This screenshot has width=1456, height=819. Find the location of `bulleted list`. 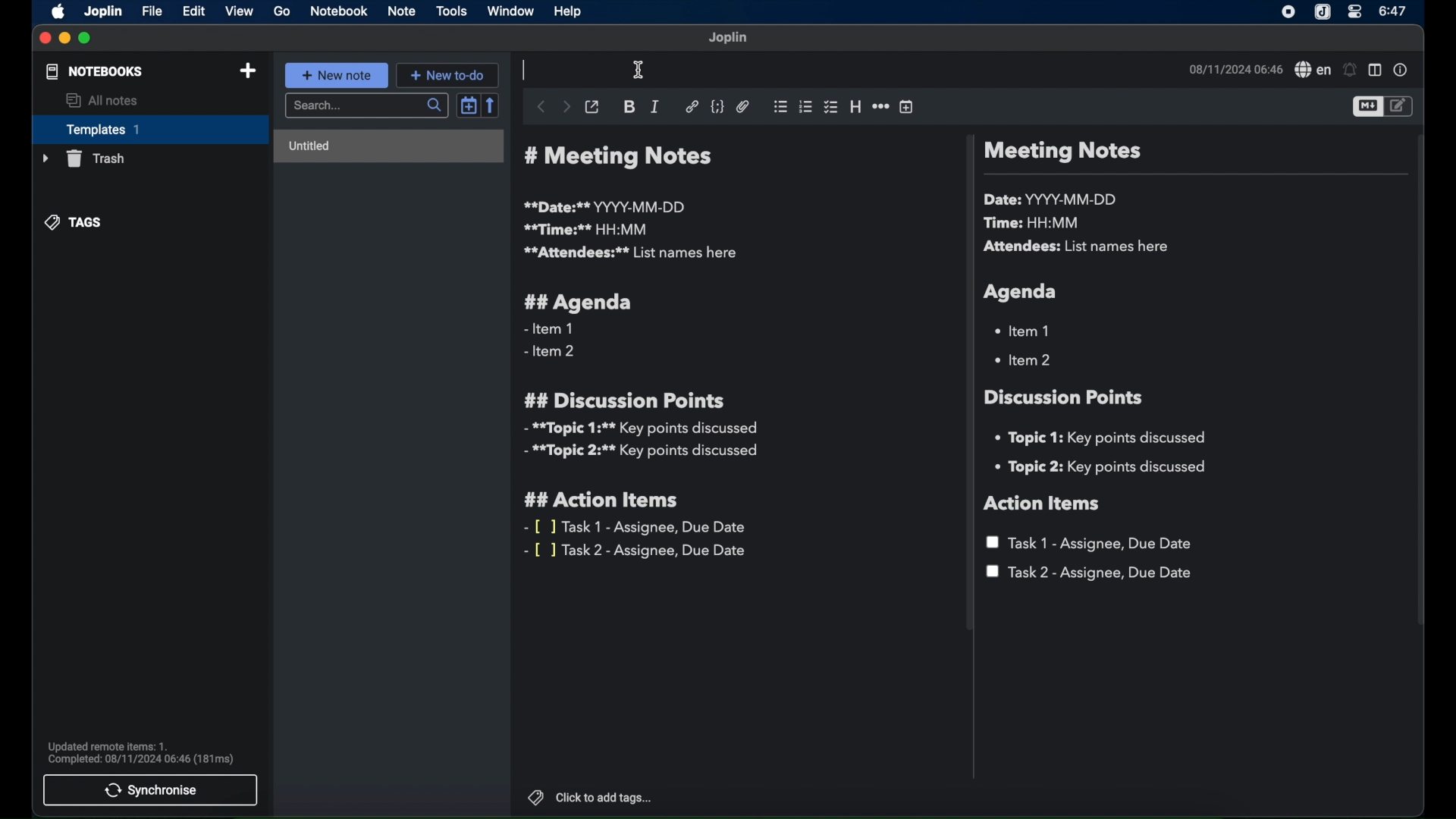

bulleted list is located at coordinates (780, 105).